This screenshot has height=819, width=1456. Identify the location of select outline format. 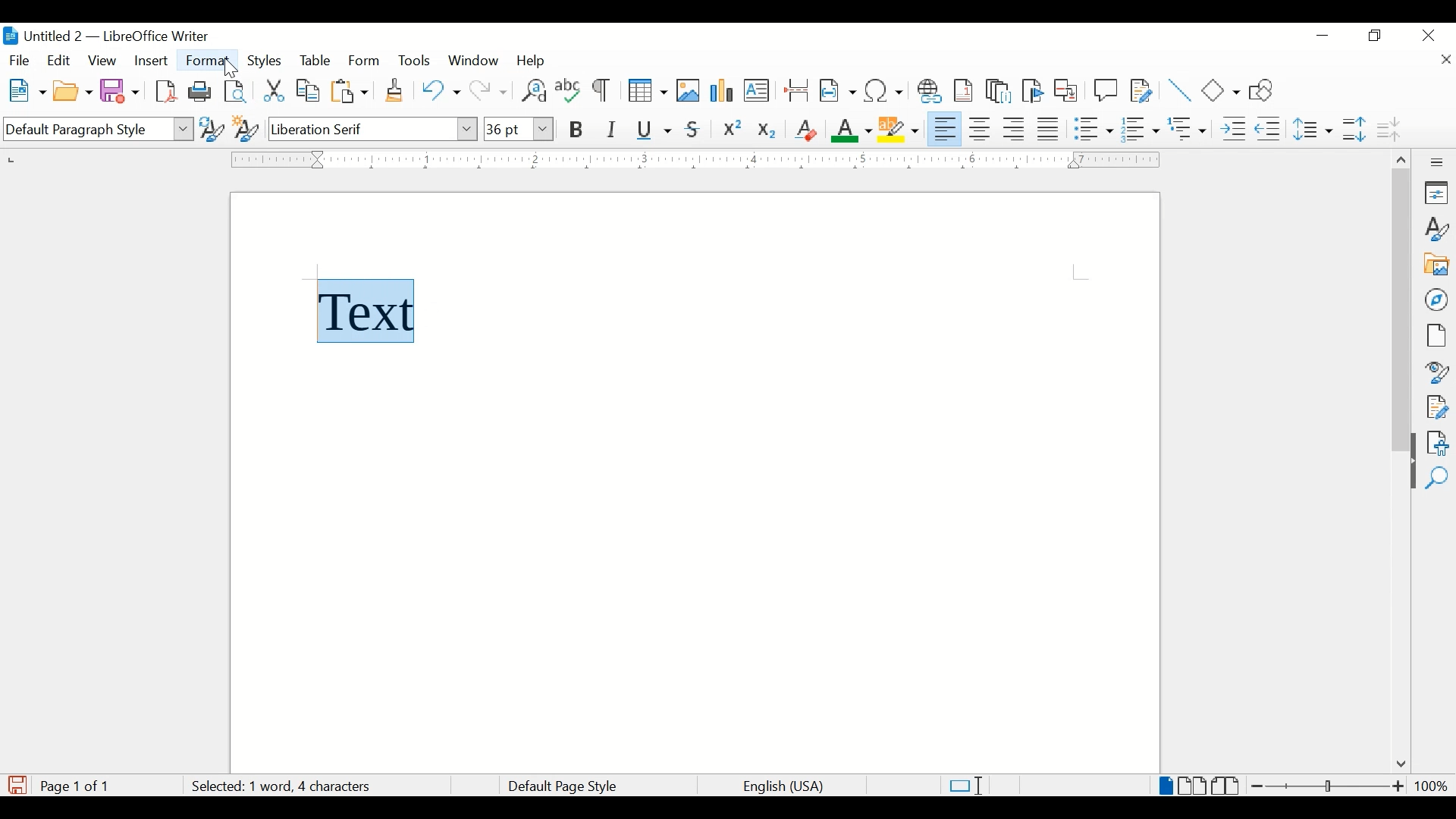
(1188, 129).